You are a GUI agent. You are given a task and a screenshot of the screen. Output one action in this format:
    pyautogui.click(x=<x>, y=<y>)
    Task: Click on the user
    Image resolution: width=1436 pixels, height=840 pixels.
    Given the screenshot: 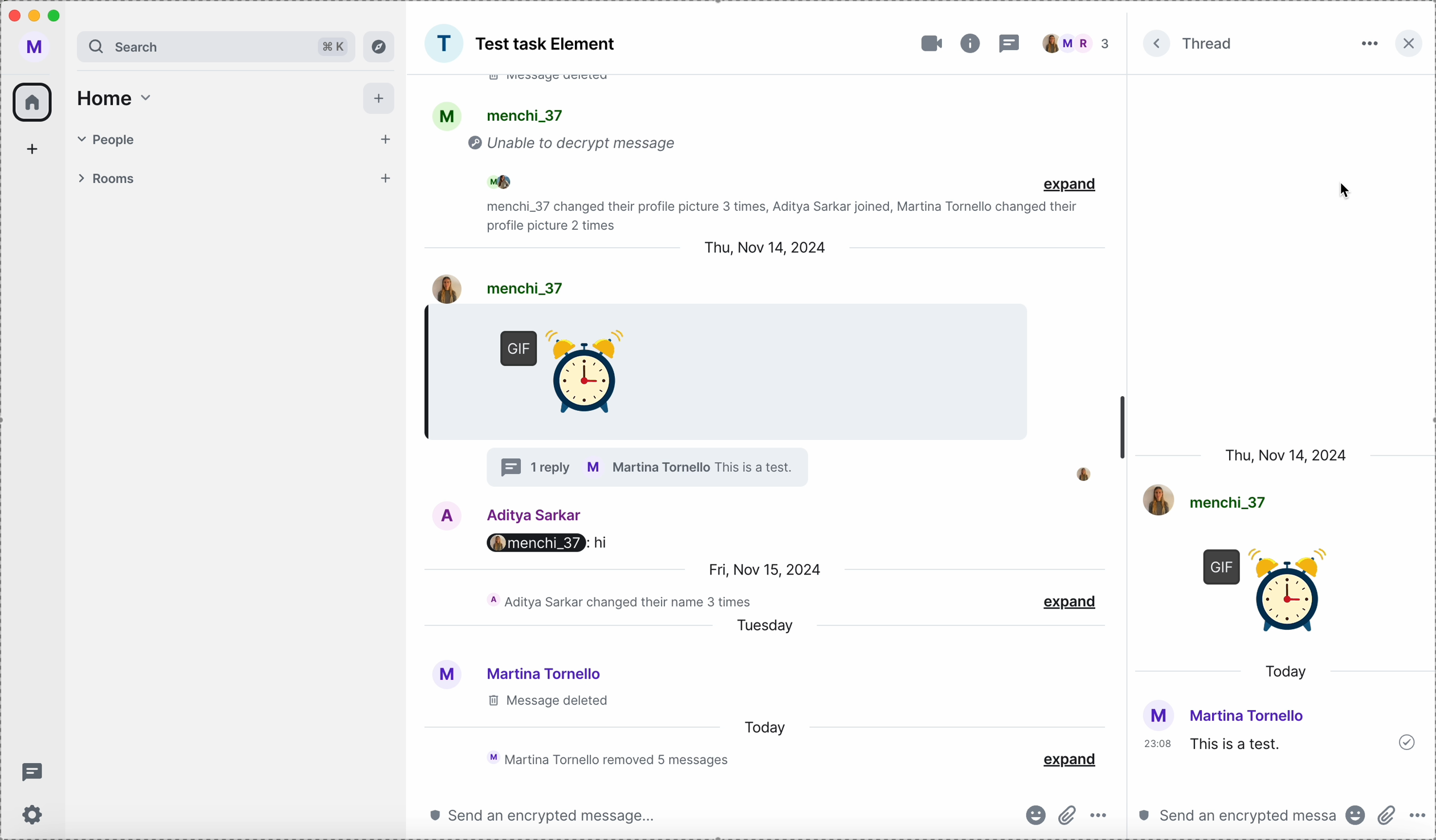 What is the action you would take?
    pyautogui.click(x=501, y=514)
    